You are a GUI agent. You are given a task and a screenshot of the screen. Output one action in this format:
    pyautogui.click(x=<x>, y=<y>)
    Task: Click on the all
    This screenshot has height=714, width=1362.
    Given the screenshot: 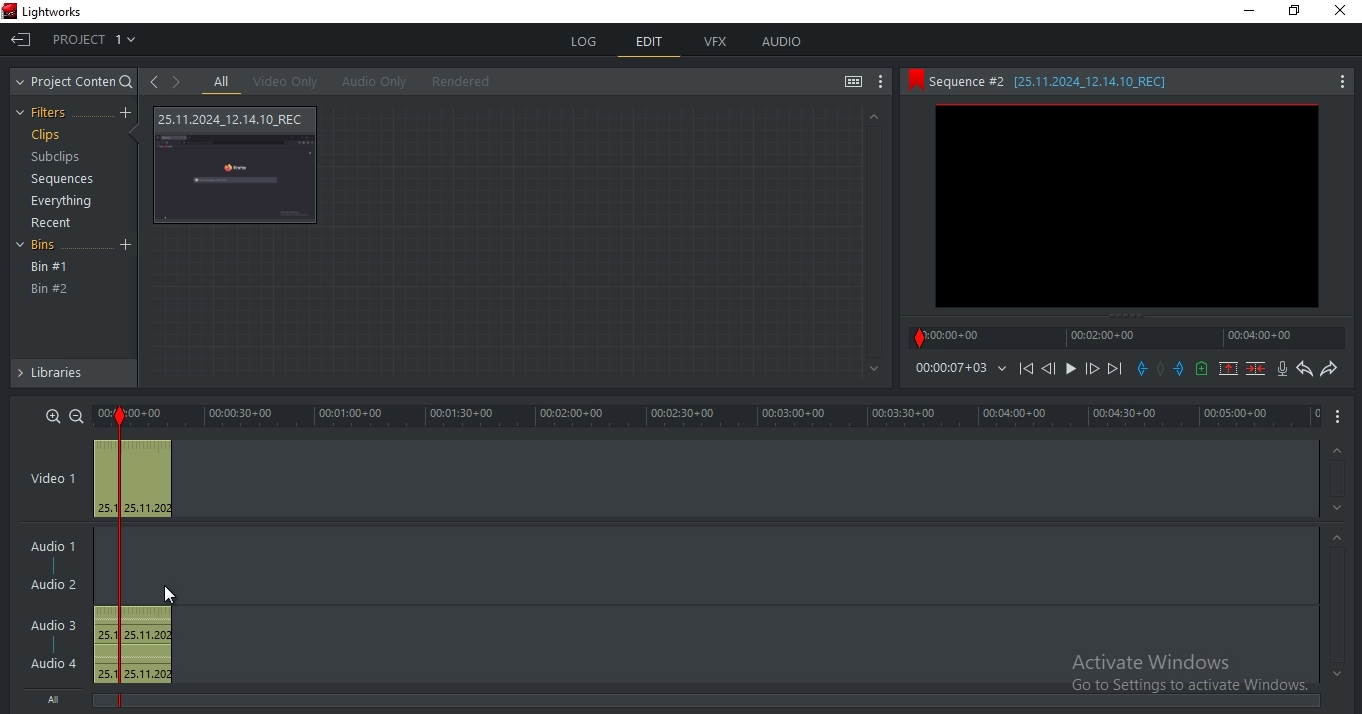 What is the action you would take?
    pyautogui.click(x=222, y=82)
    